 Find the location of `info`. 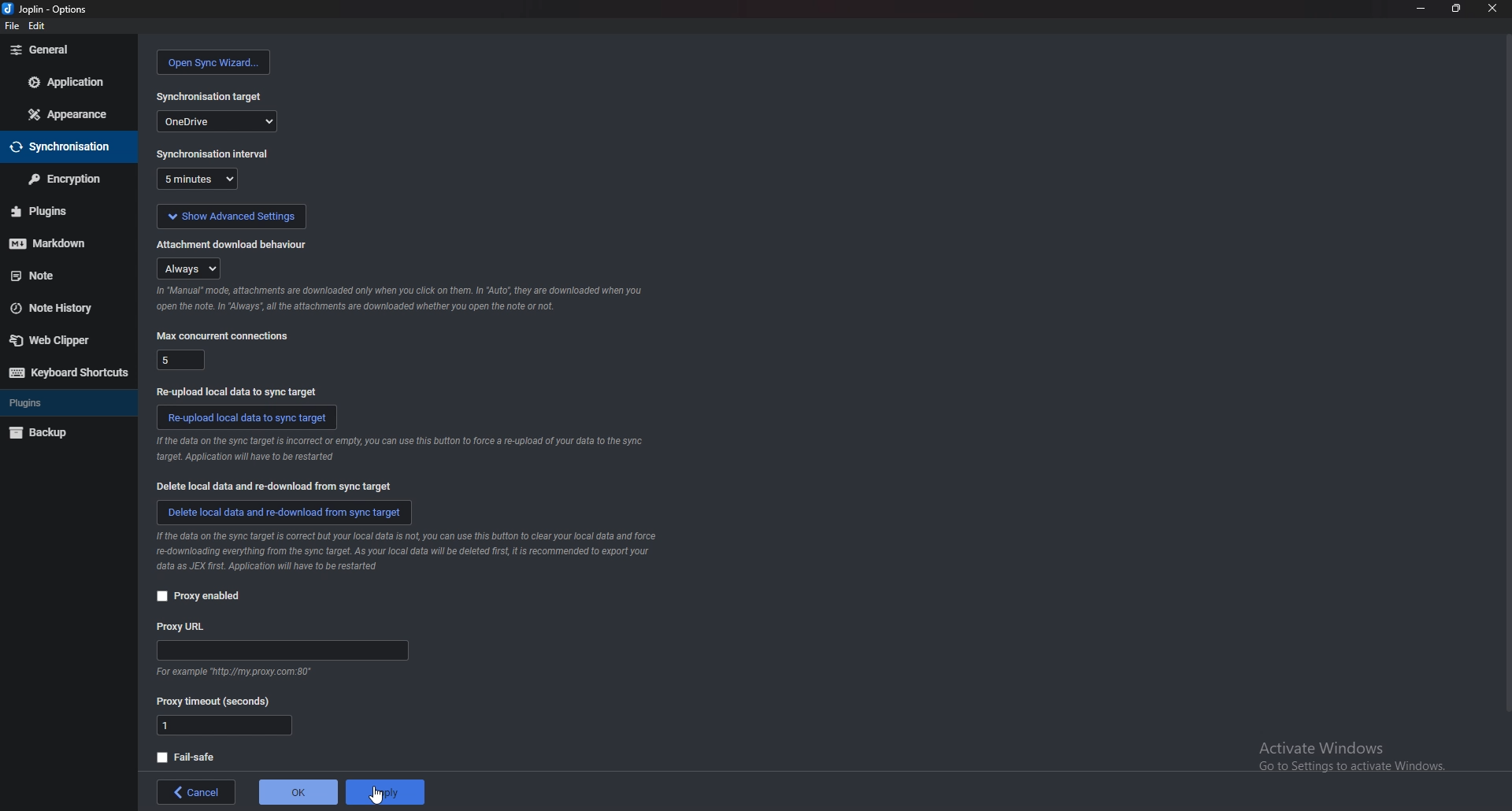

info is located at coordinates (398, 449).